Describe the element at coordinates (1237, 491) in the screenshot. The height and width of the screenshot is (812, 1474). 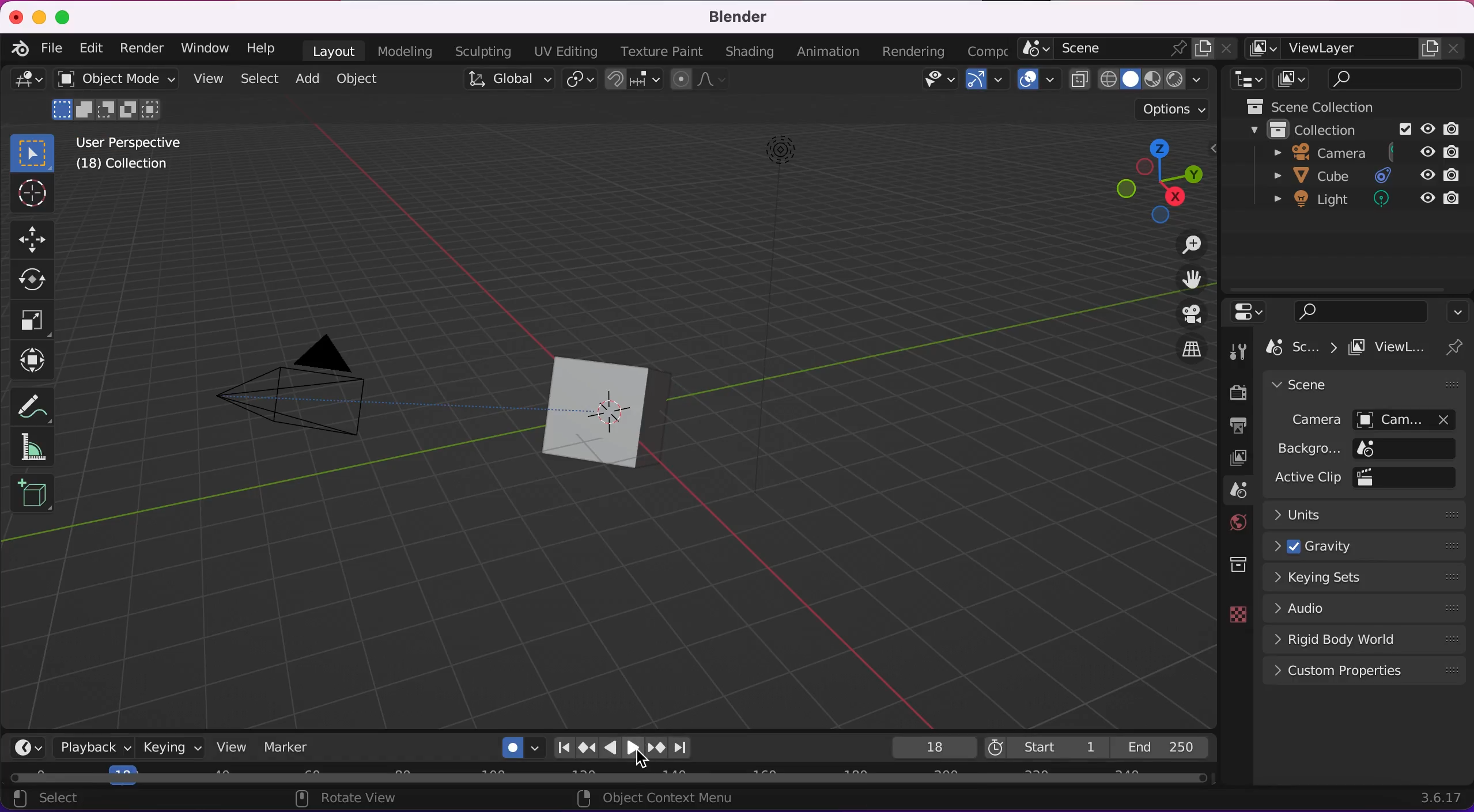
I see `scene` at that location.